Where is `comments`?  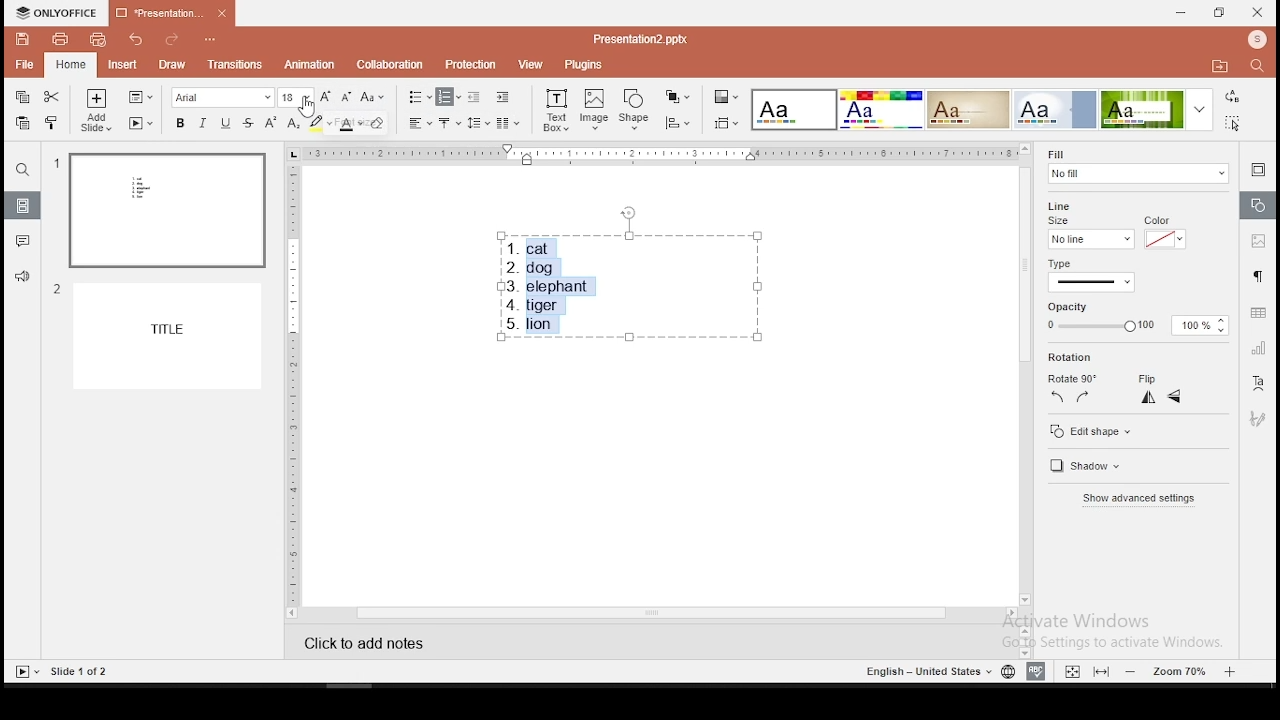
comments is located at coordinates (23, 244).